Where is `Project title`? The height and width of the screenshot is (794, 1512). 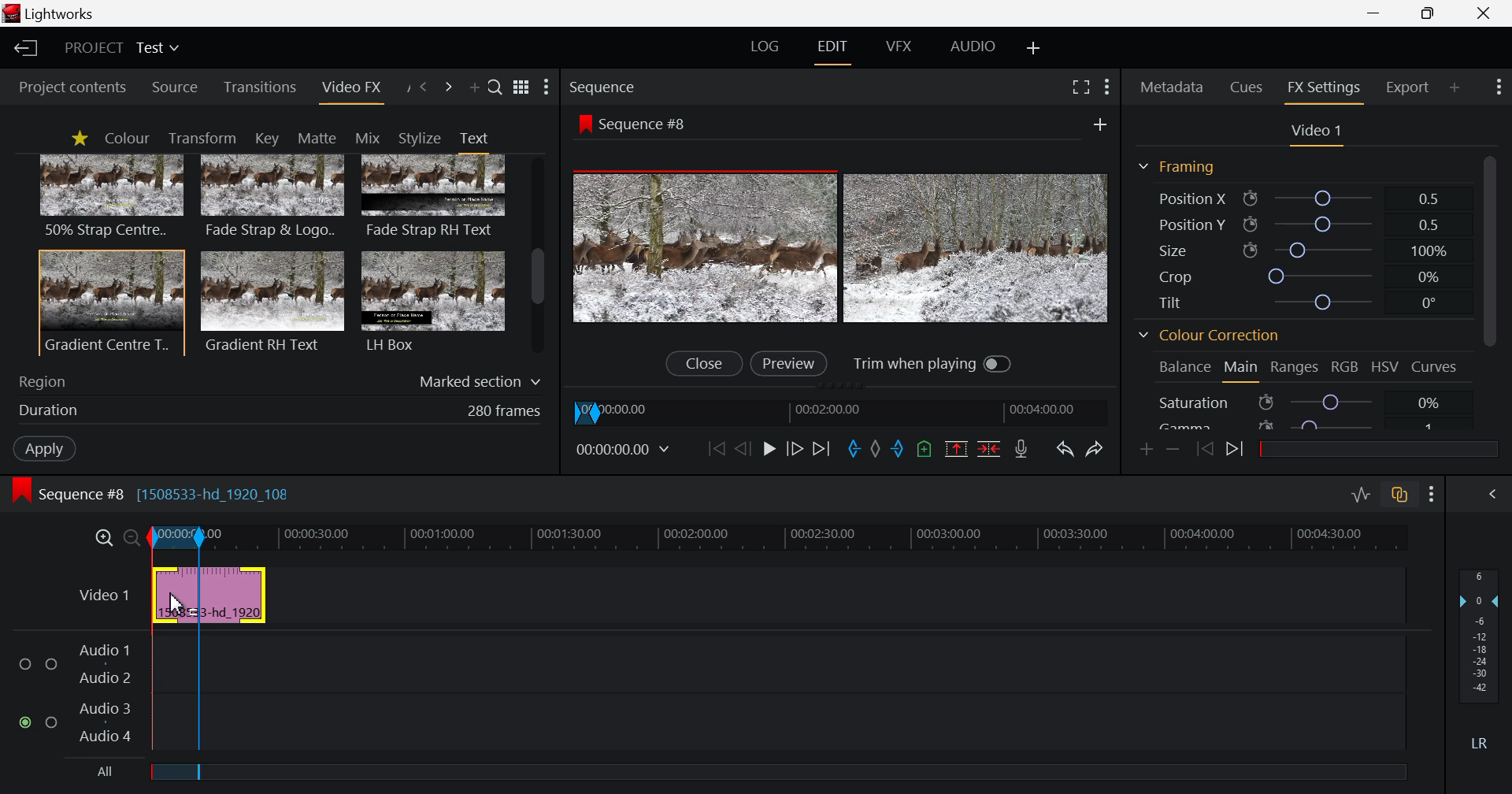 Project title is located at coordinates (124, 48).